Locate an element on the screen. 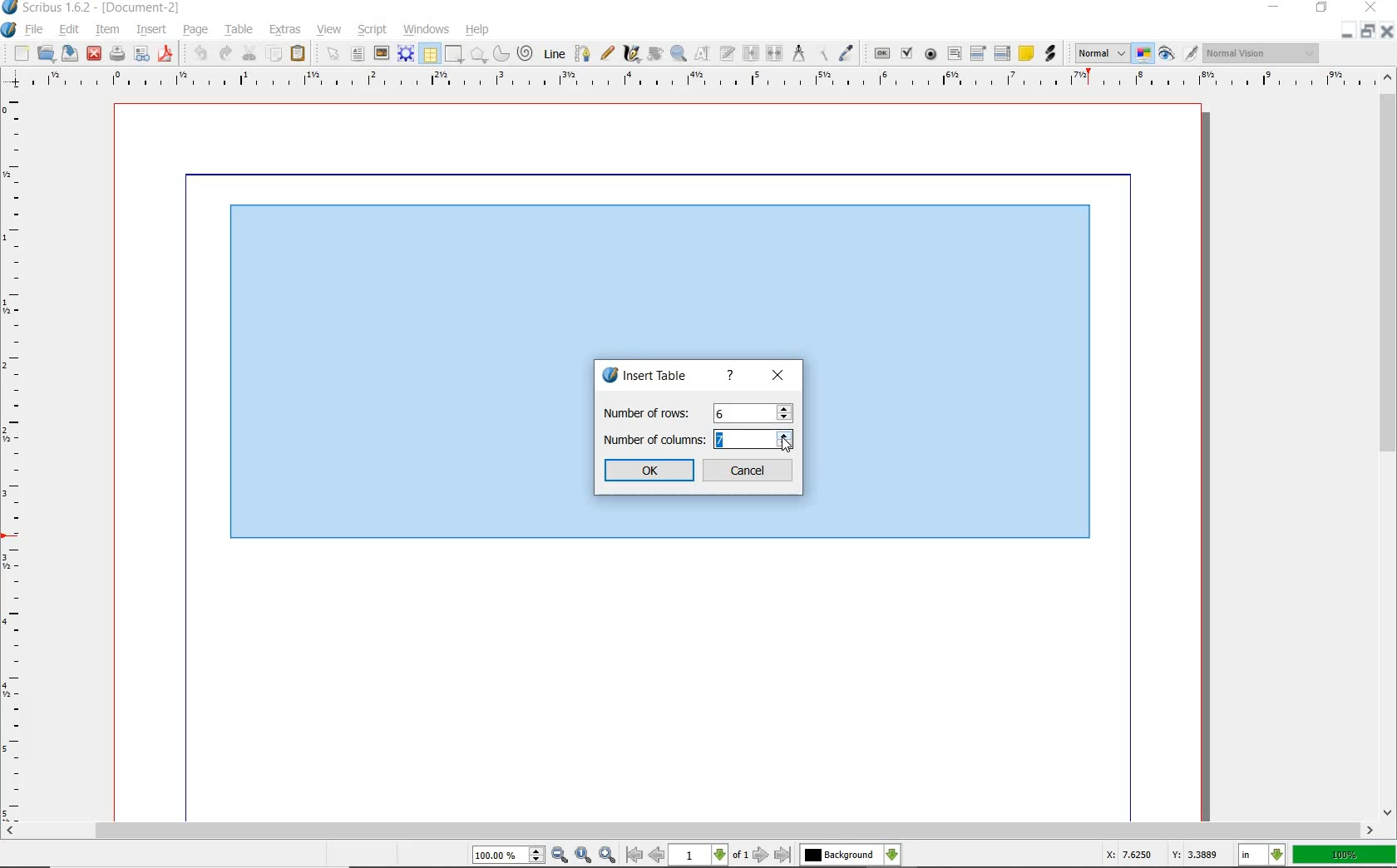 This screenshot has height=868, width=1397. Number of columns: is located at coordinates (653, 440).